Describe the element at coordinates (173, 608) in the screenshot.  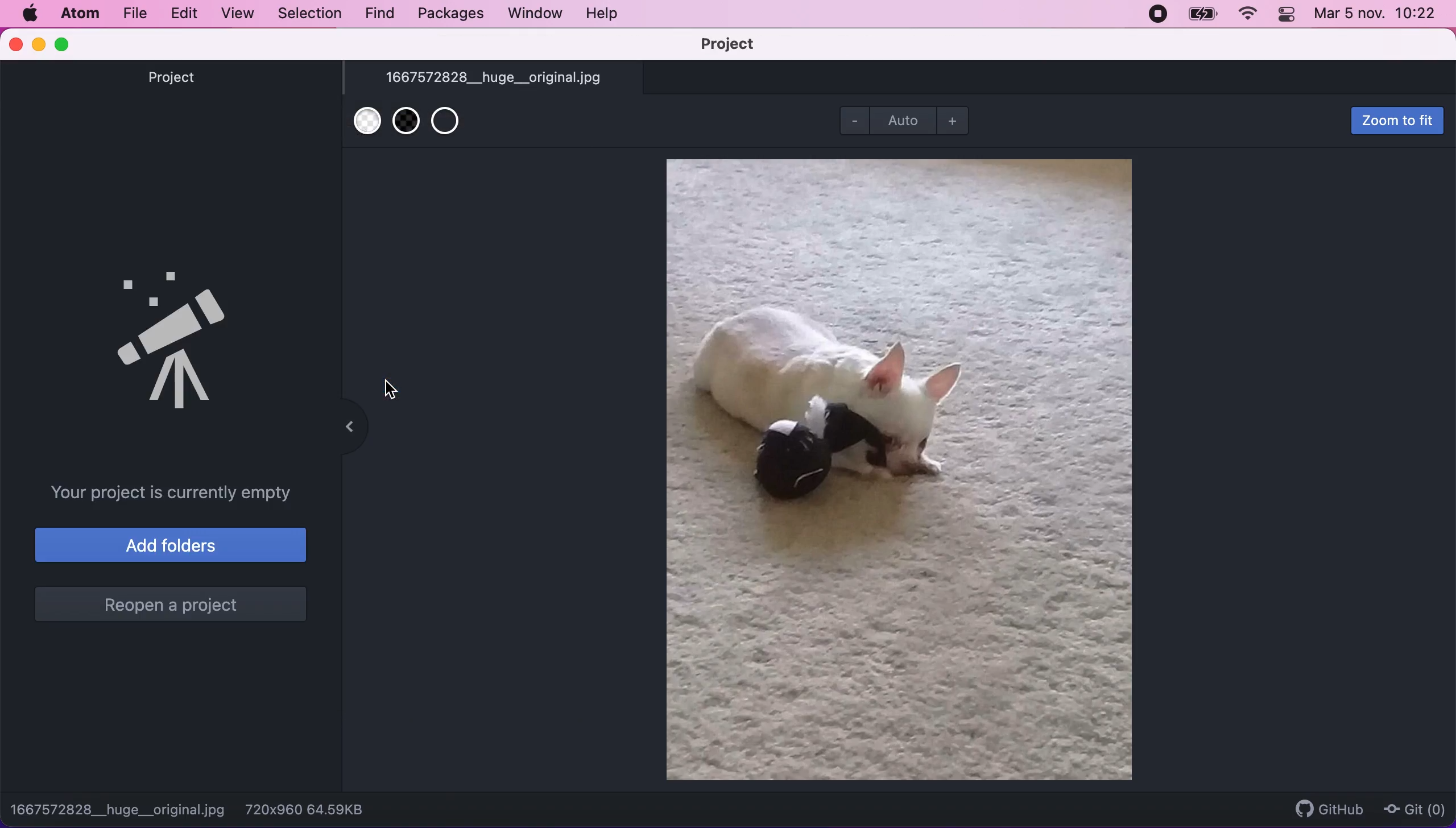
I see `reopen a project` at that location.